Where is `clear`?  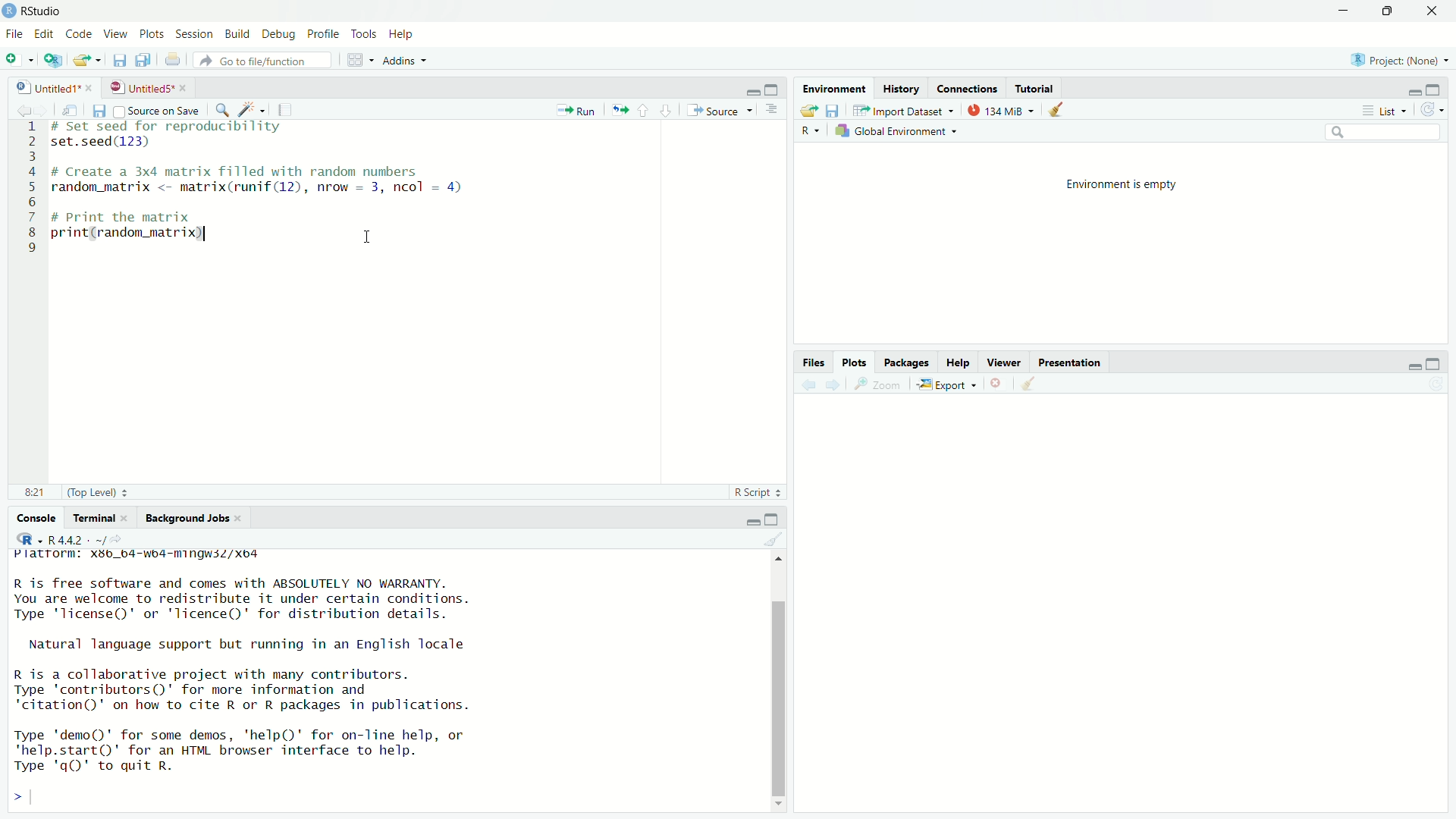 clear is located at coordinates (773, 540).